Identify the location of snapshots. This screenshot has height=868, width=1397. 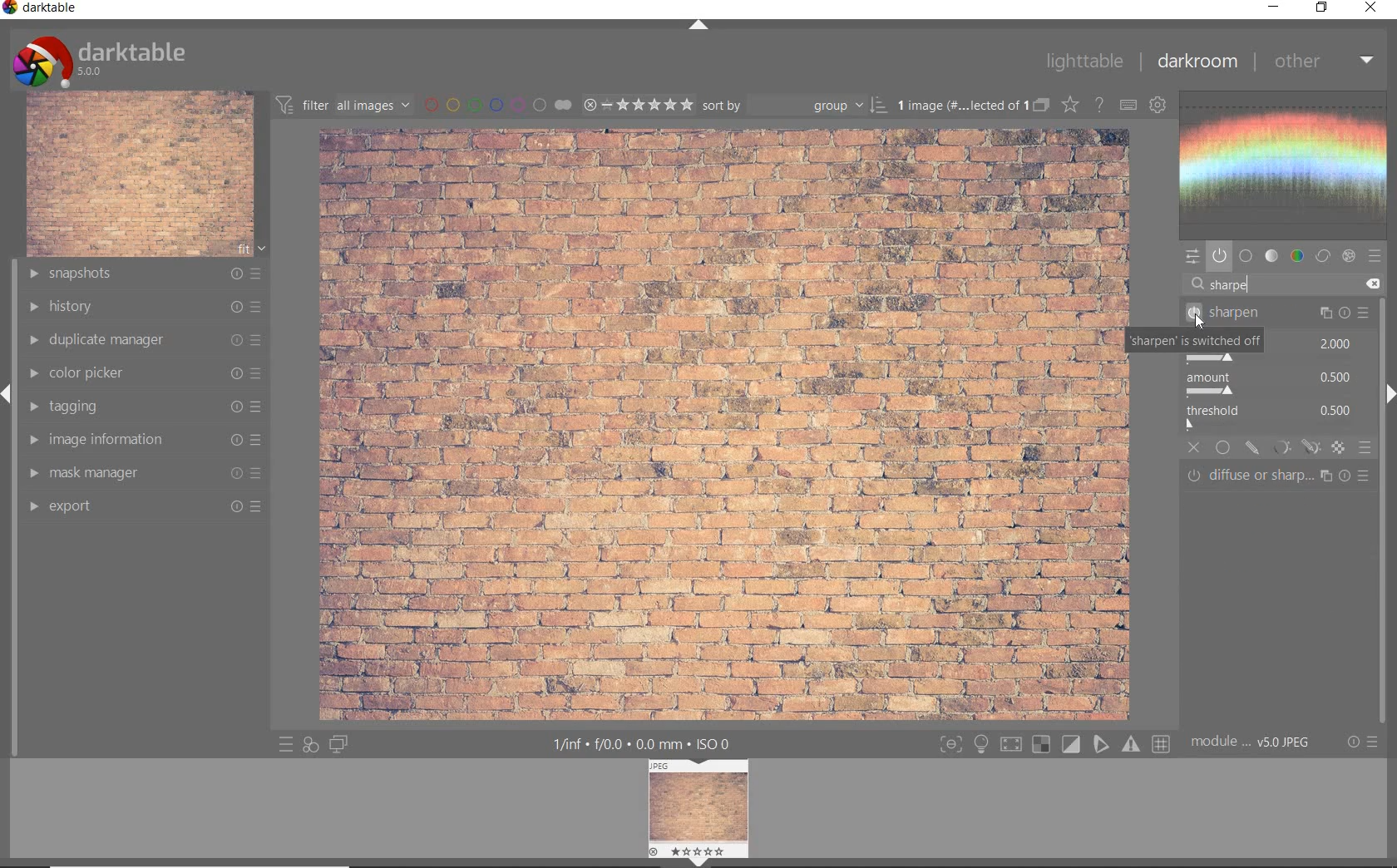
(146, 274).